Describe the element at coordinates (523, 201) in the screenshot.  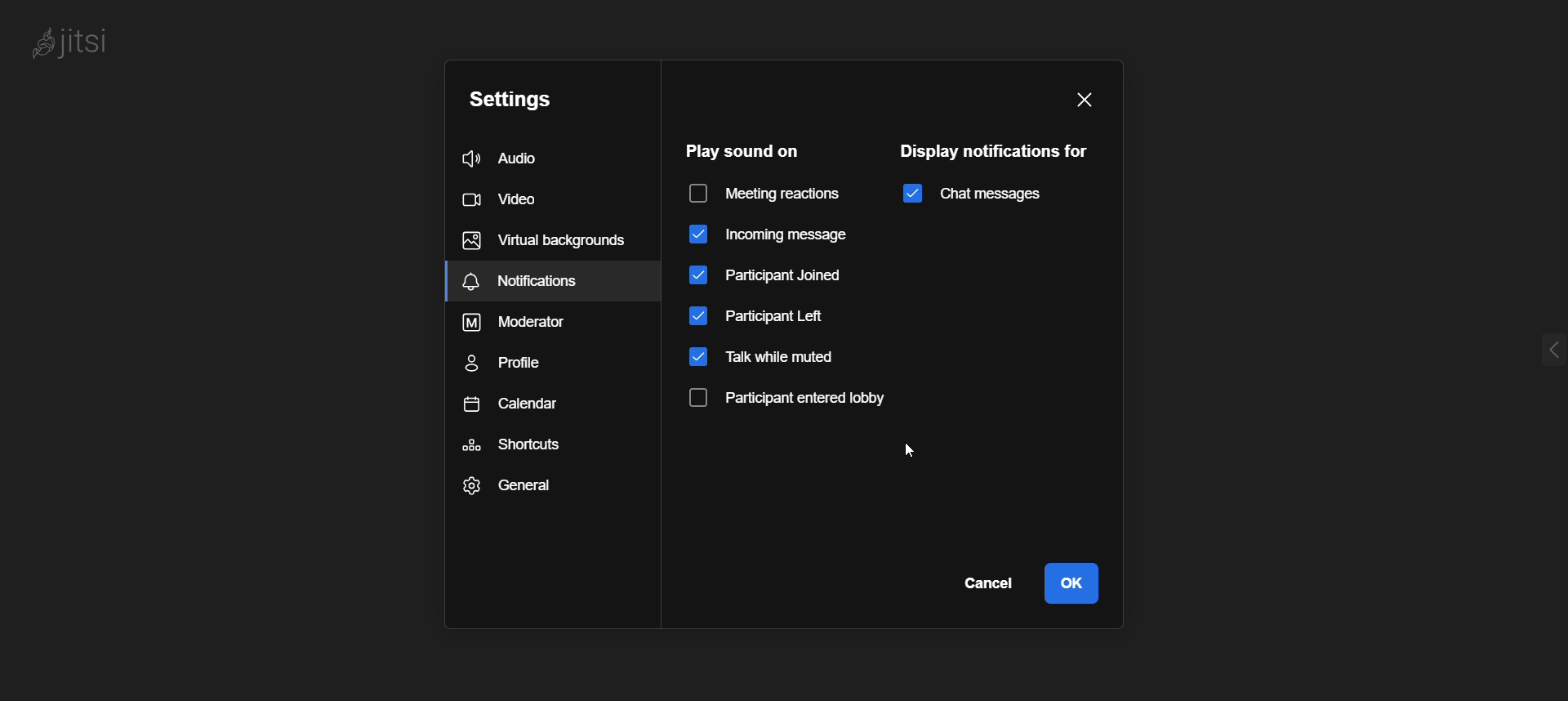
I see `Video ` at that location.